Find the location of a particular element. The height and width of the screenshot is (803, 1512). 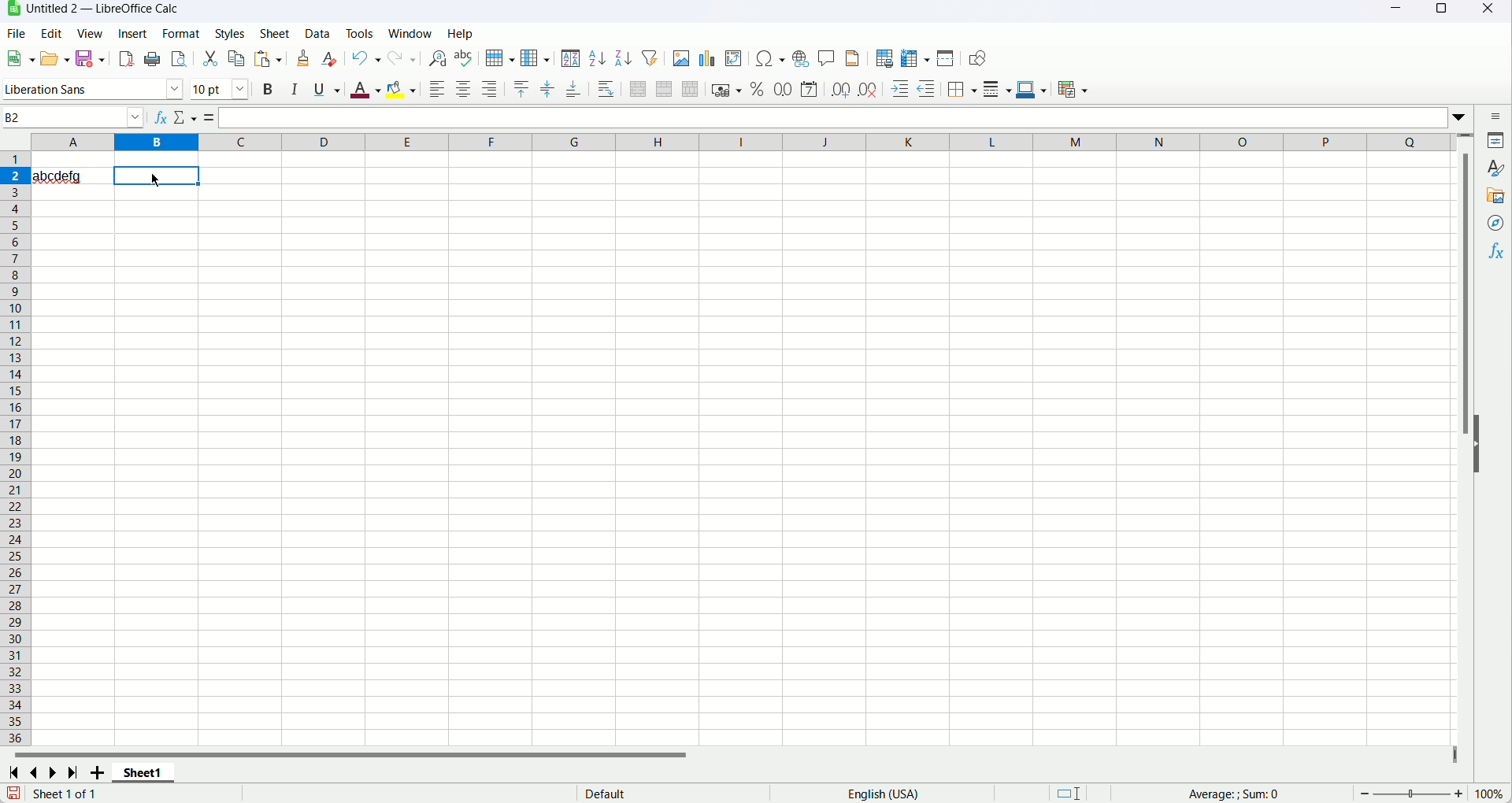

unmerge cells is located at coordinates (689, 90).